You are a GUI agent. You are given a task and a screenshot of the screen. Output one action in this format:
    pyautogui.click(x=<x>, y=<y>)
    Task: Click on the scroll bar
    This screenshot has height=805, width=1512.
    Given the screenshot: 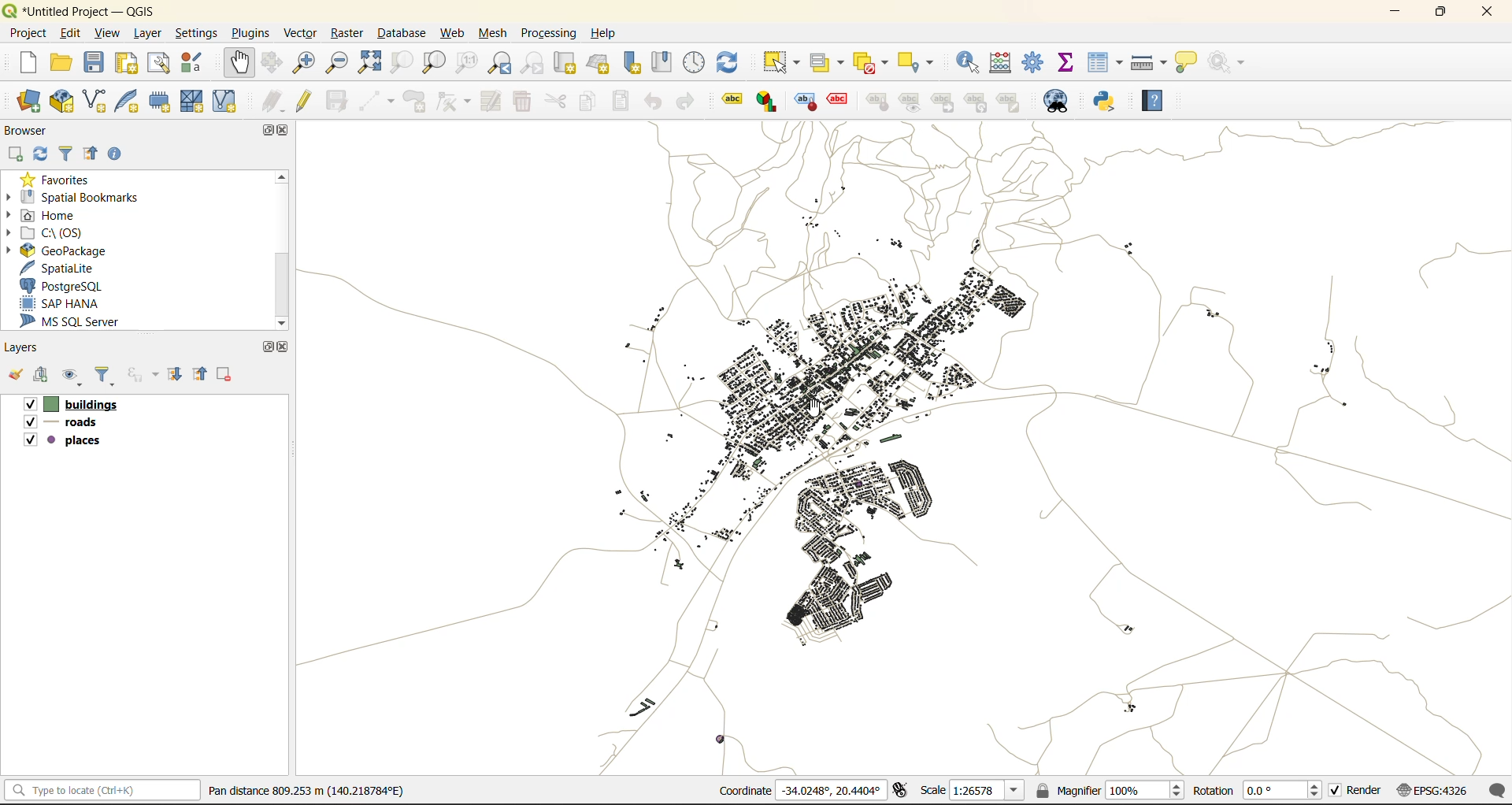 What is the action you would take?
    pyautogui.click(x=283, y=250)
    